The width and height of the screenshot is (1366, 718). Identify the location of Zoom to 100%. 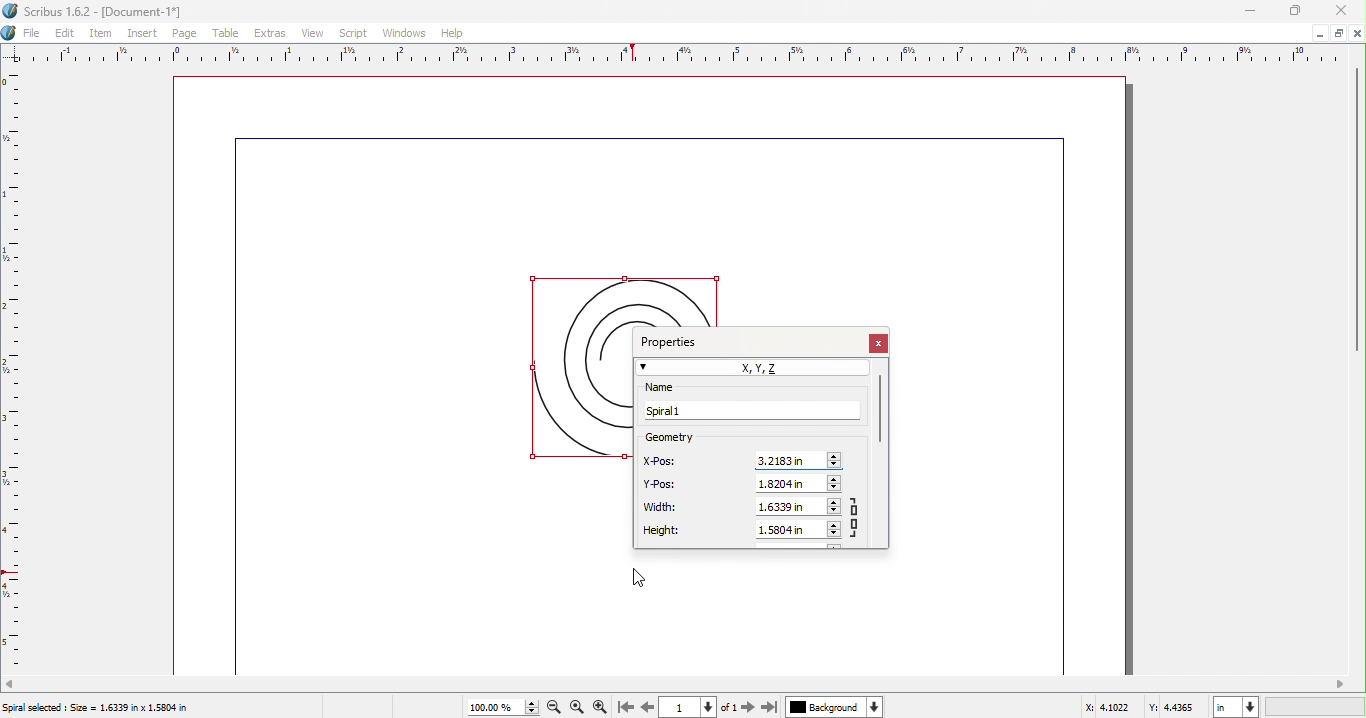
(578, 707).